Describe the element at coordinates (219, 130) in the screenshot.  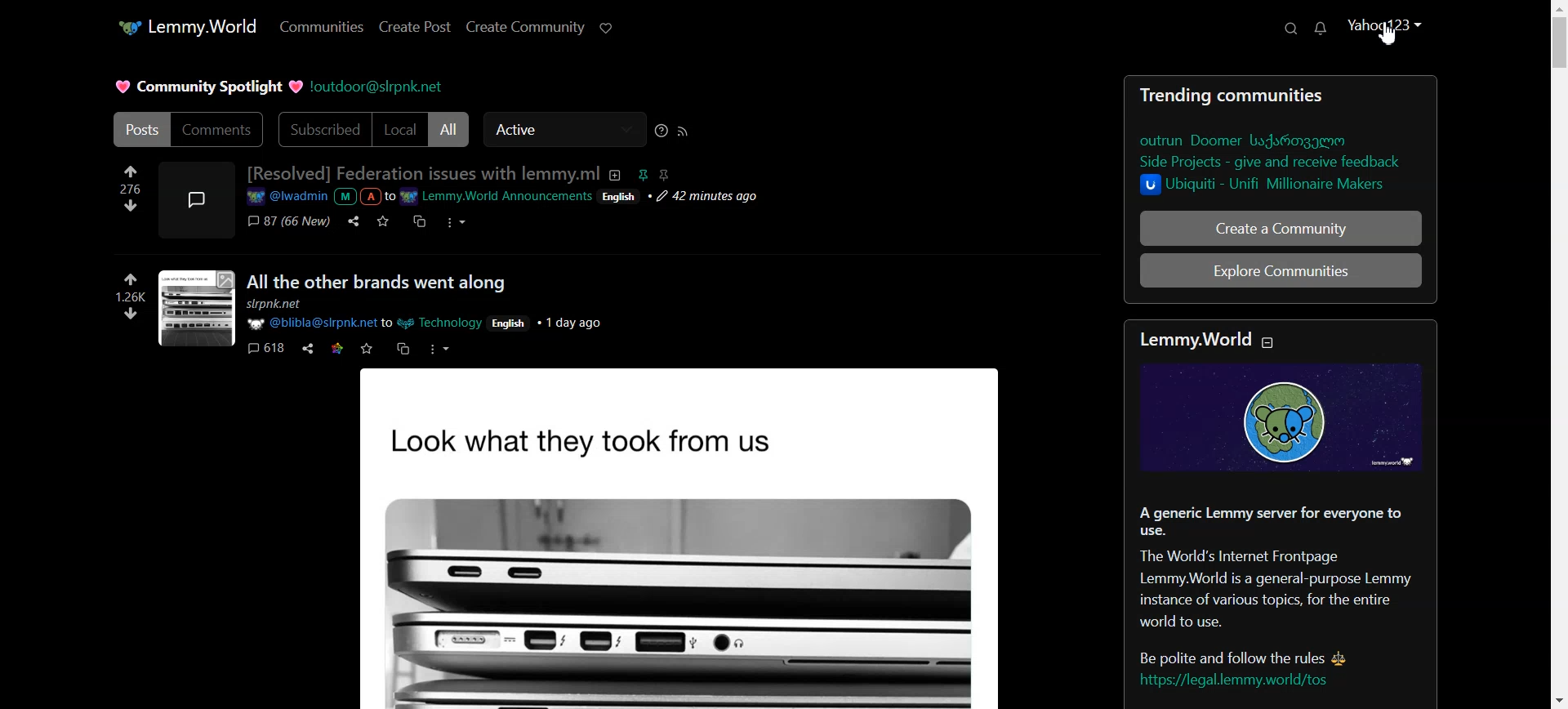
I see `Comments` at that location.